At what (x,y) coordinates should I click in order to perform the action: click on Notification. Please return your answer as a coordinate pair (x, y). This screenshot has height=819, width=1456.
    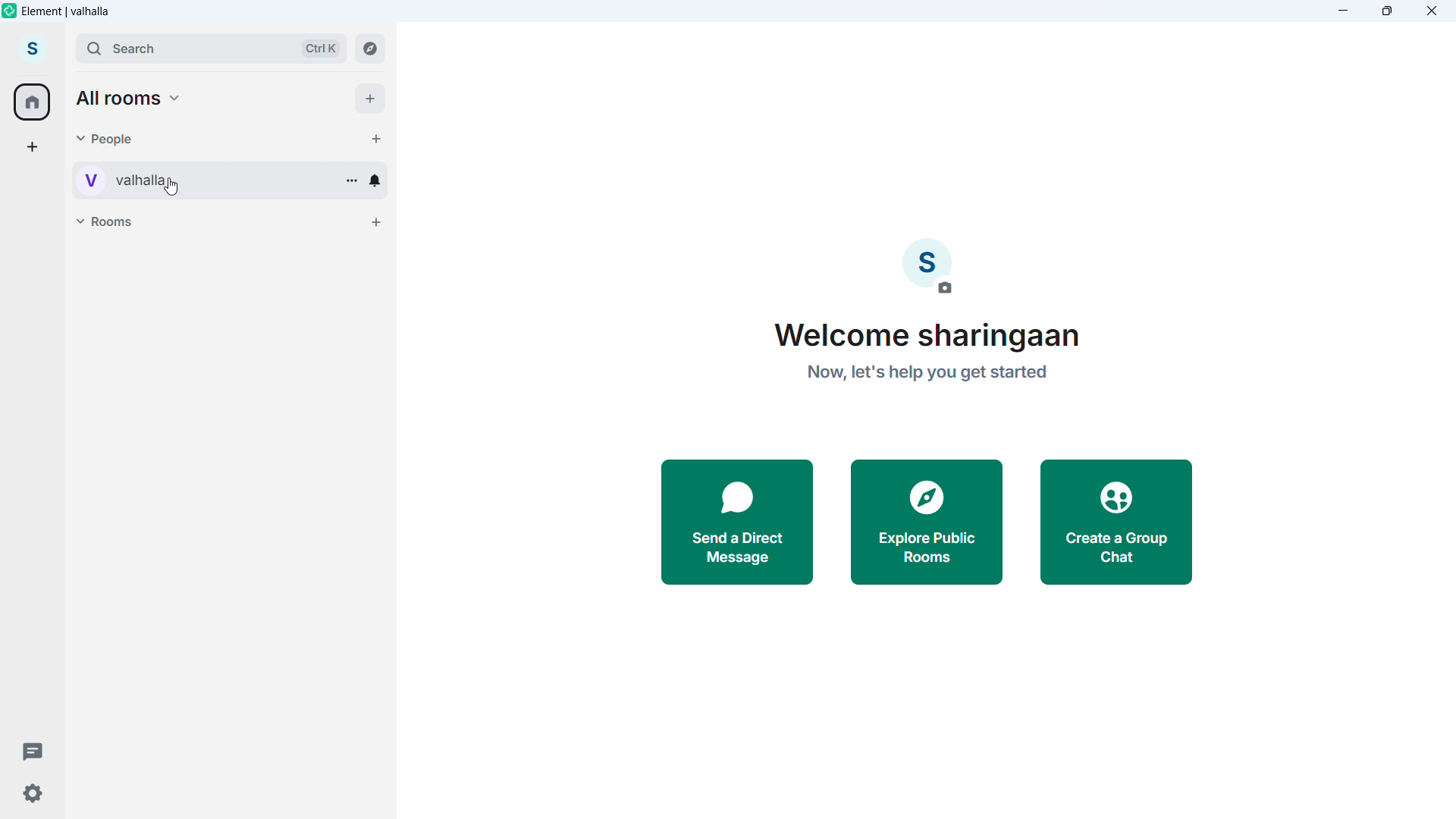
    Looking at the image, I should click on (374, 180).